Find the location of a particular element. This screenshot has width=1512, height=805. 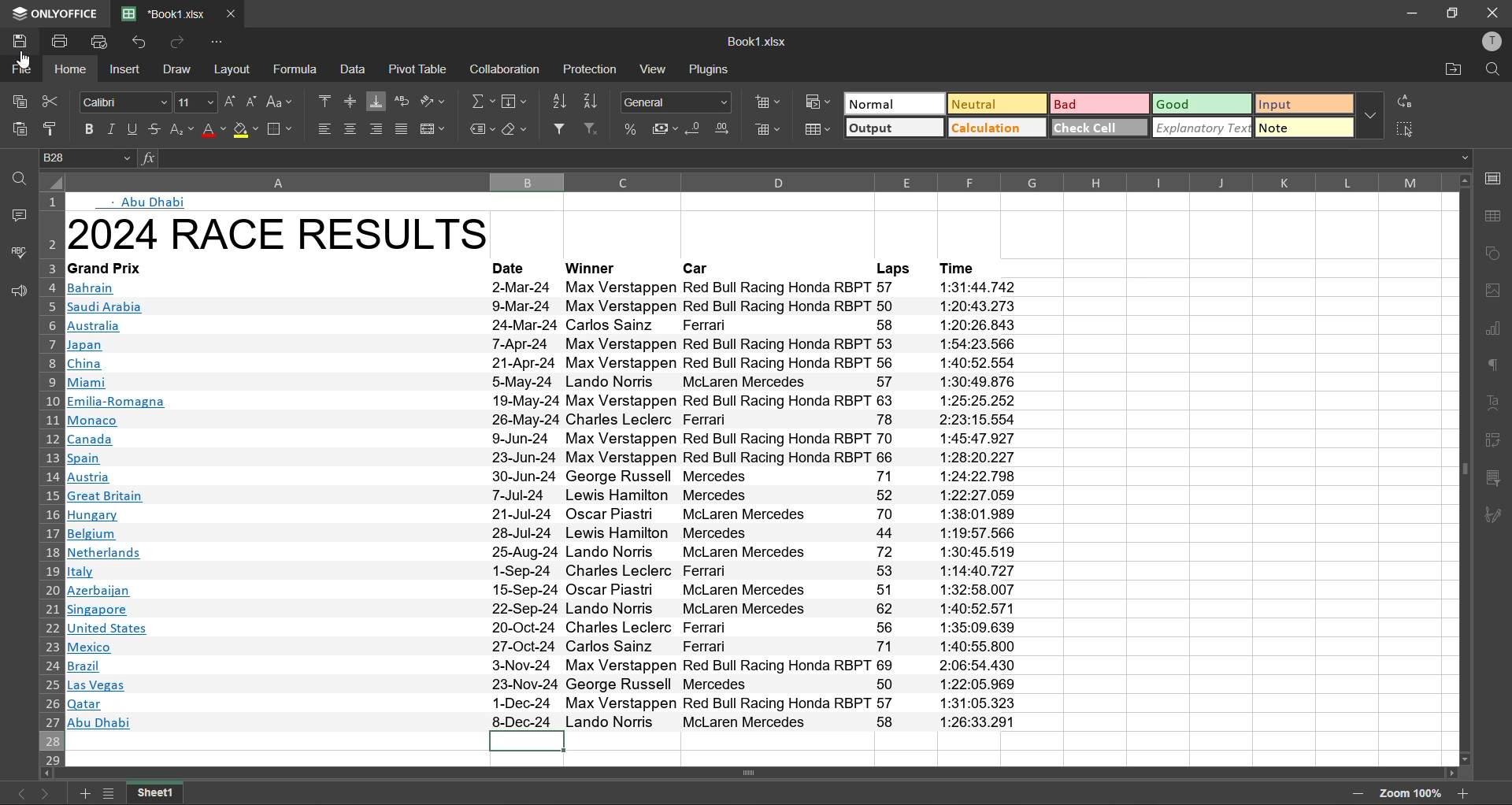

qatar 1-Dec-24 Max Verstappen Red Bull Racing Honda RBPT 57 1:31:05.323 is located at coordinates (547, 705).